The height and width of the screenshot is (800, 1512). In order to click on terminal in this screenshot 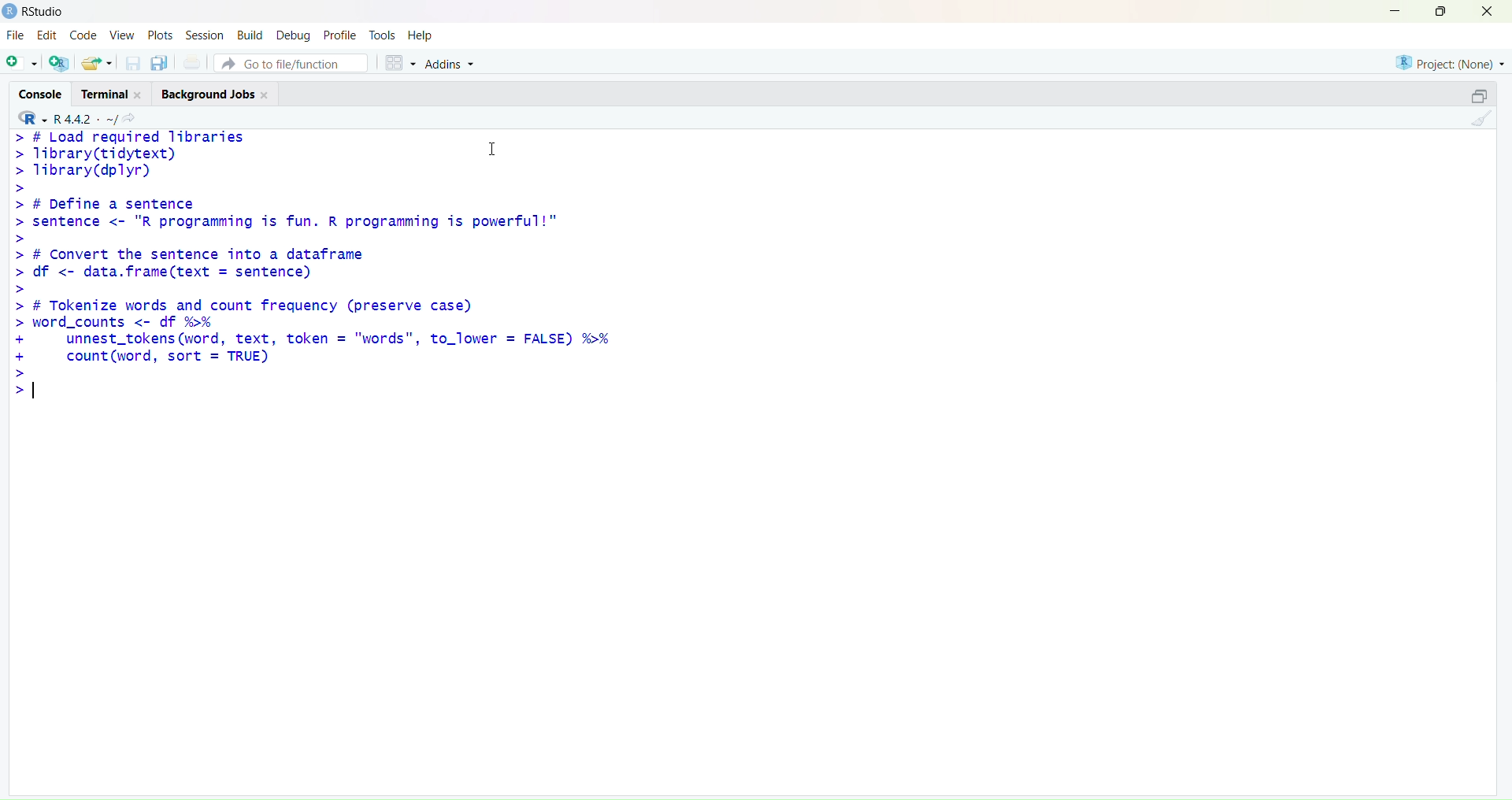, I will do `click(111, 93)`.